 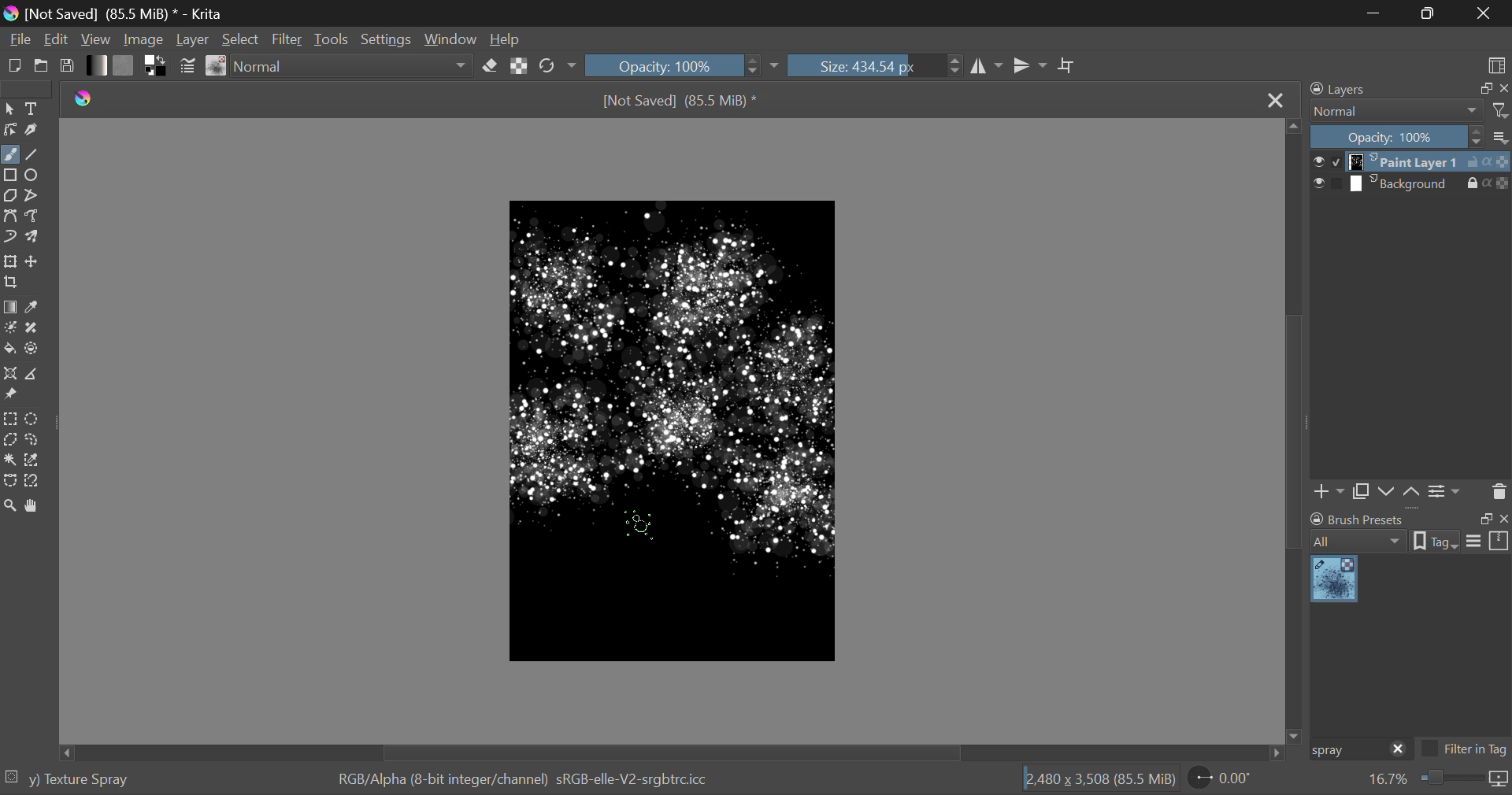 I want to click on layer 1, so click(x=1406, y=163).